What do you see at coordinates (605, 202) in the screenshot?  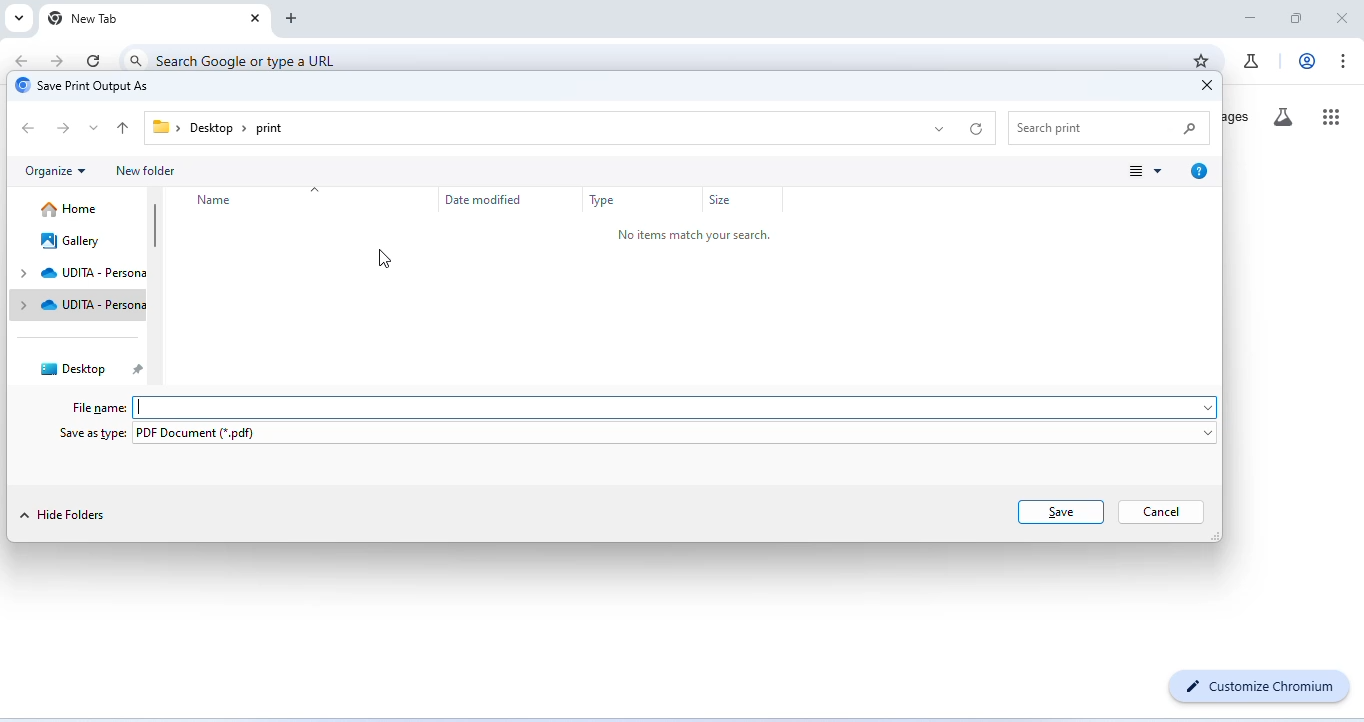 I see `type` at bounding box center [605, 202].